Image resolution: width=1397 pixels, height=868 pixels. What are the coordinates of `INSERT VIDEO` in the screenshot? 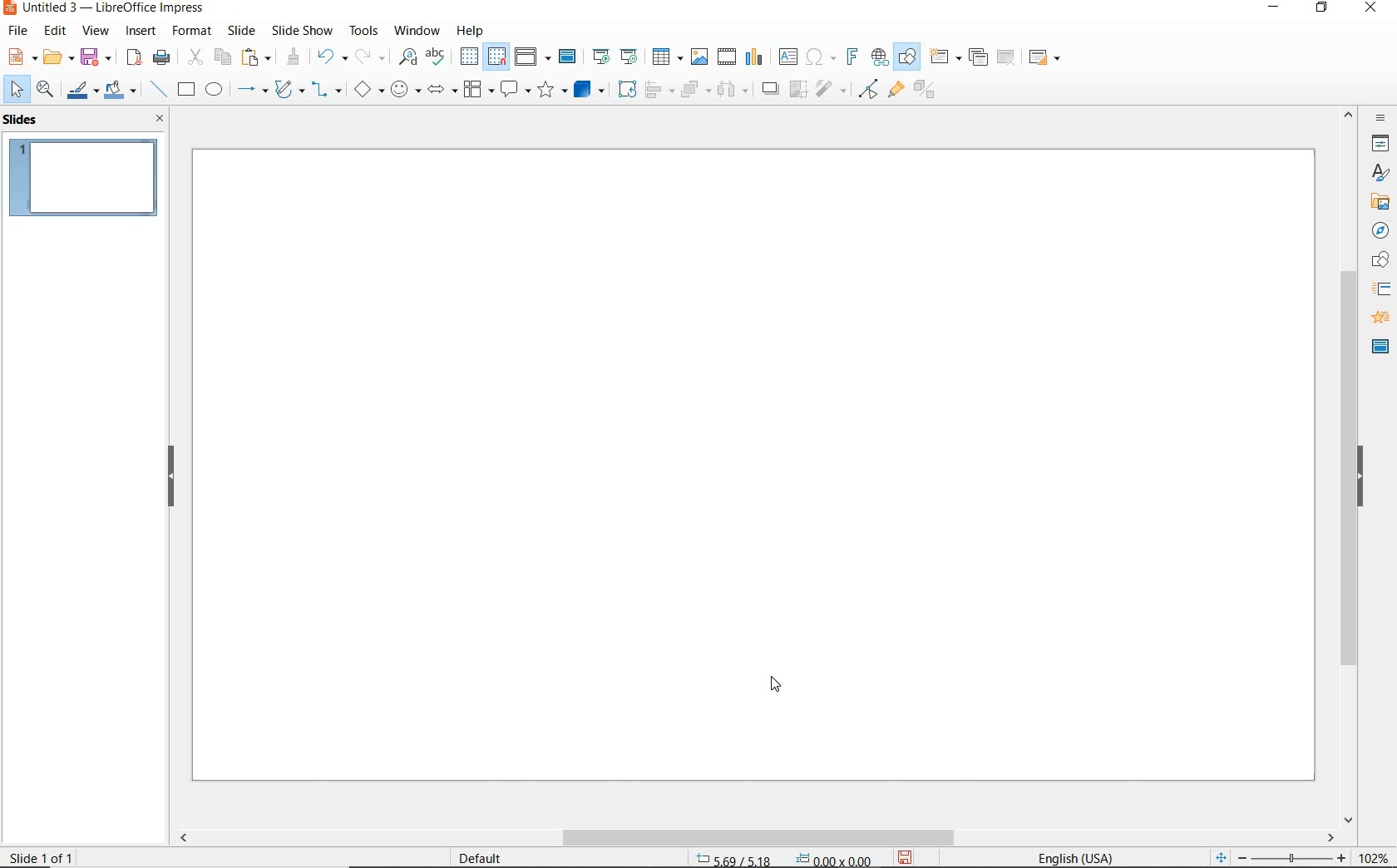 It's located at (727, 57).